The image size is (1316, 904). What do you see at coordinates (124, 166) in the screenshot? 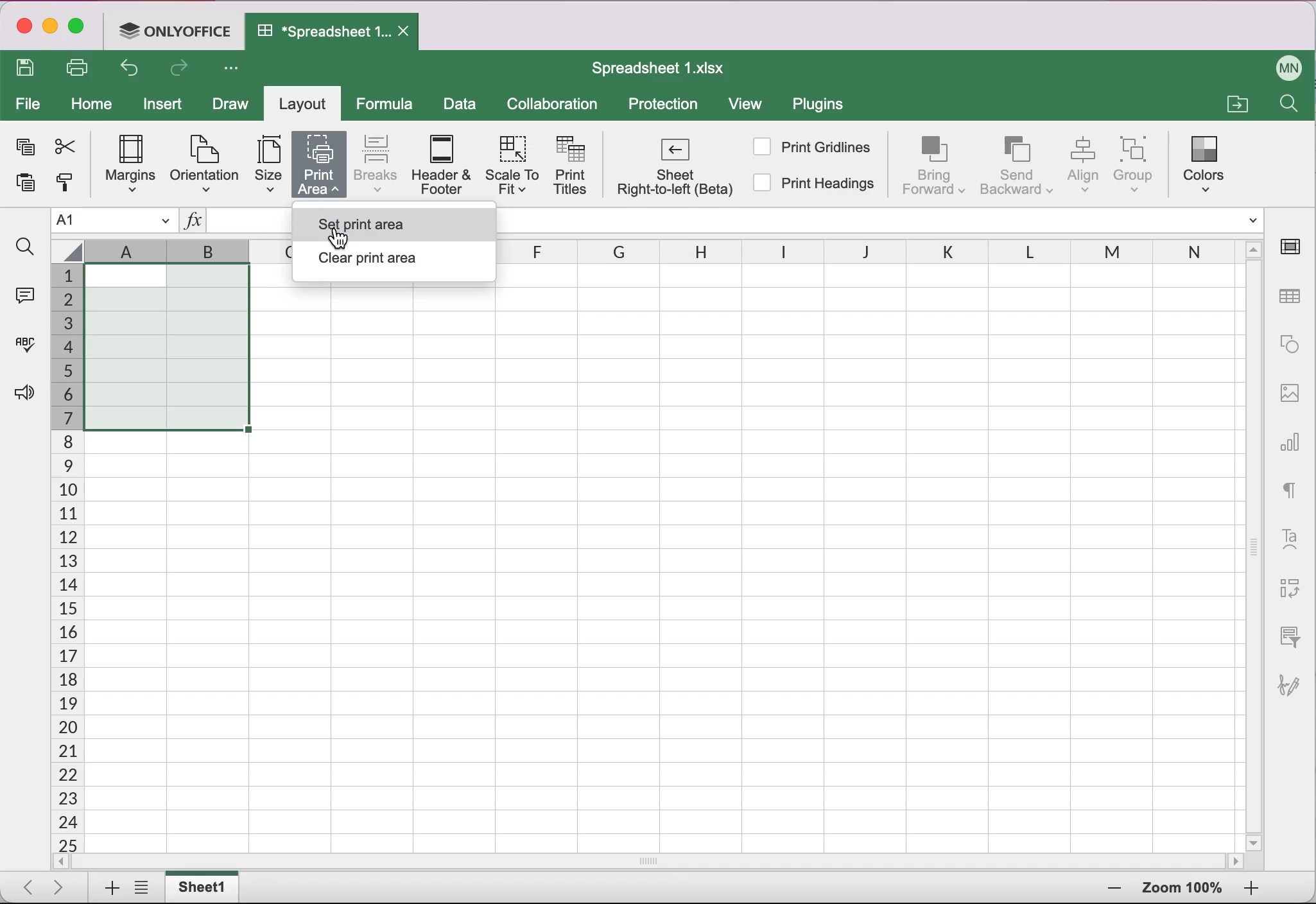
I see `Margins` at bounding box center [124, 166].